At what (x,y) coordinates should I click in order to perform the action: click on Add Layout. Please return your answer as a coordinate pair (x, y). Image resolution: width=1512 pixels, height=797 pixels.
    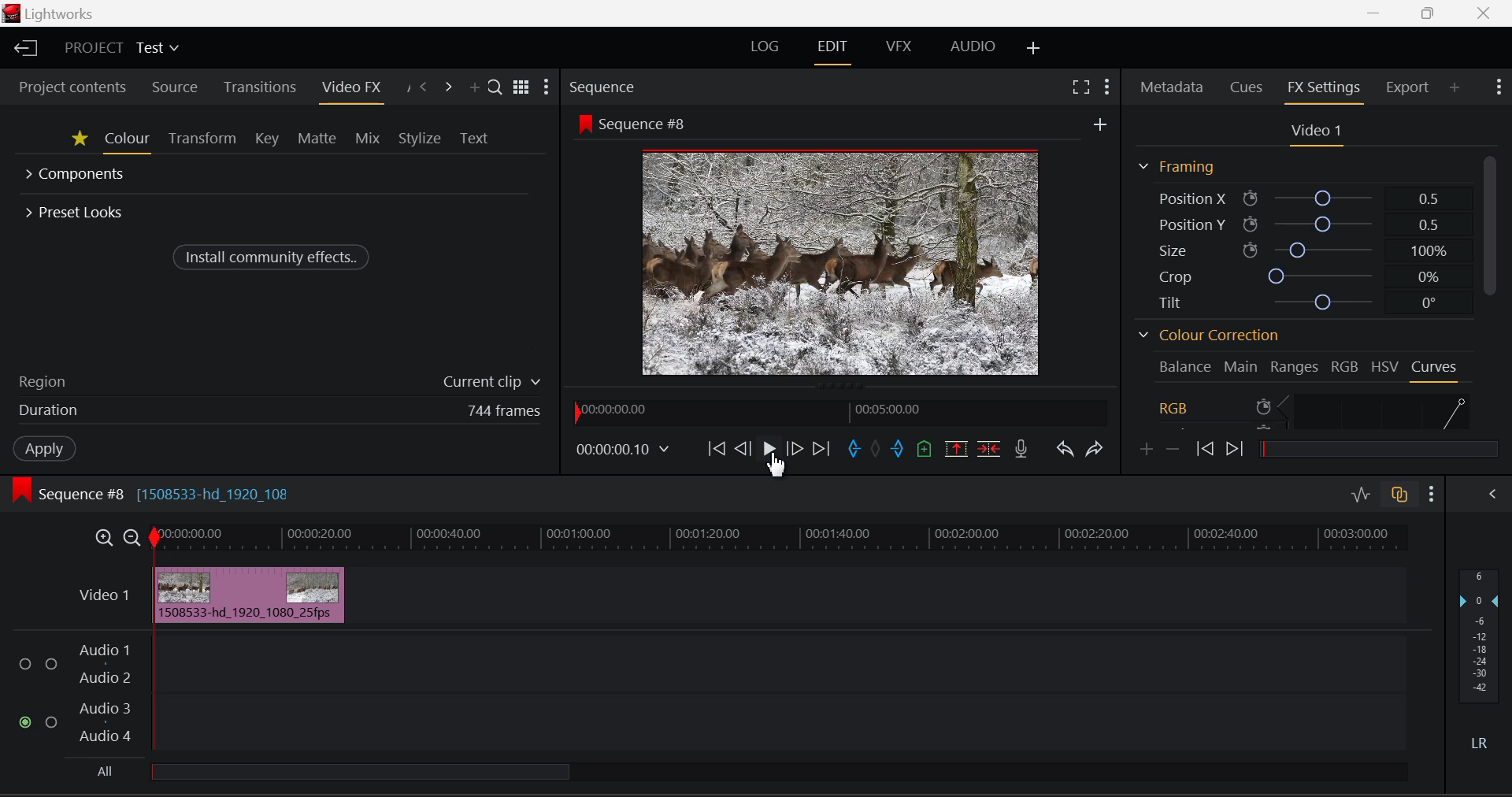
    Looking at the image, I should click on (1035, 50).